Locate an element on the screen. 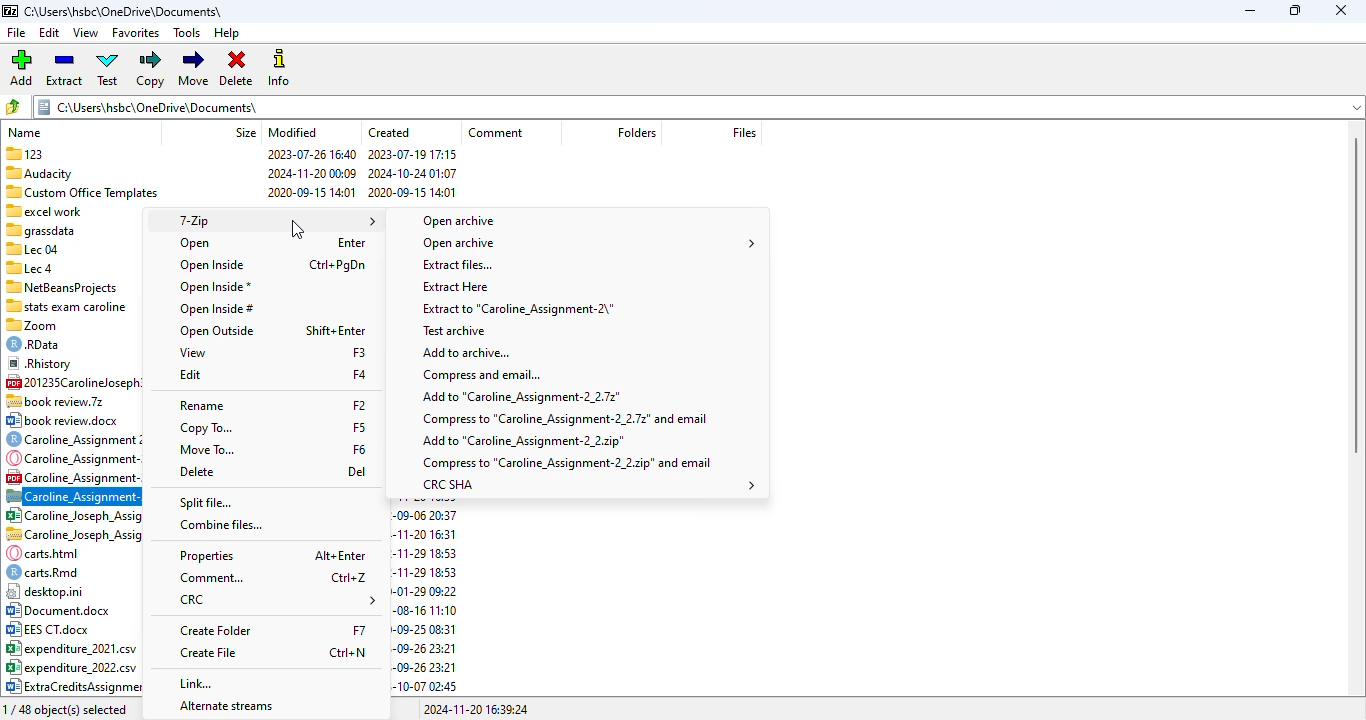 This screenshot has width=1366, height=720. info is located at coordinates (280, 68).